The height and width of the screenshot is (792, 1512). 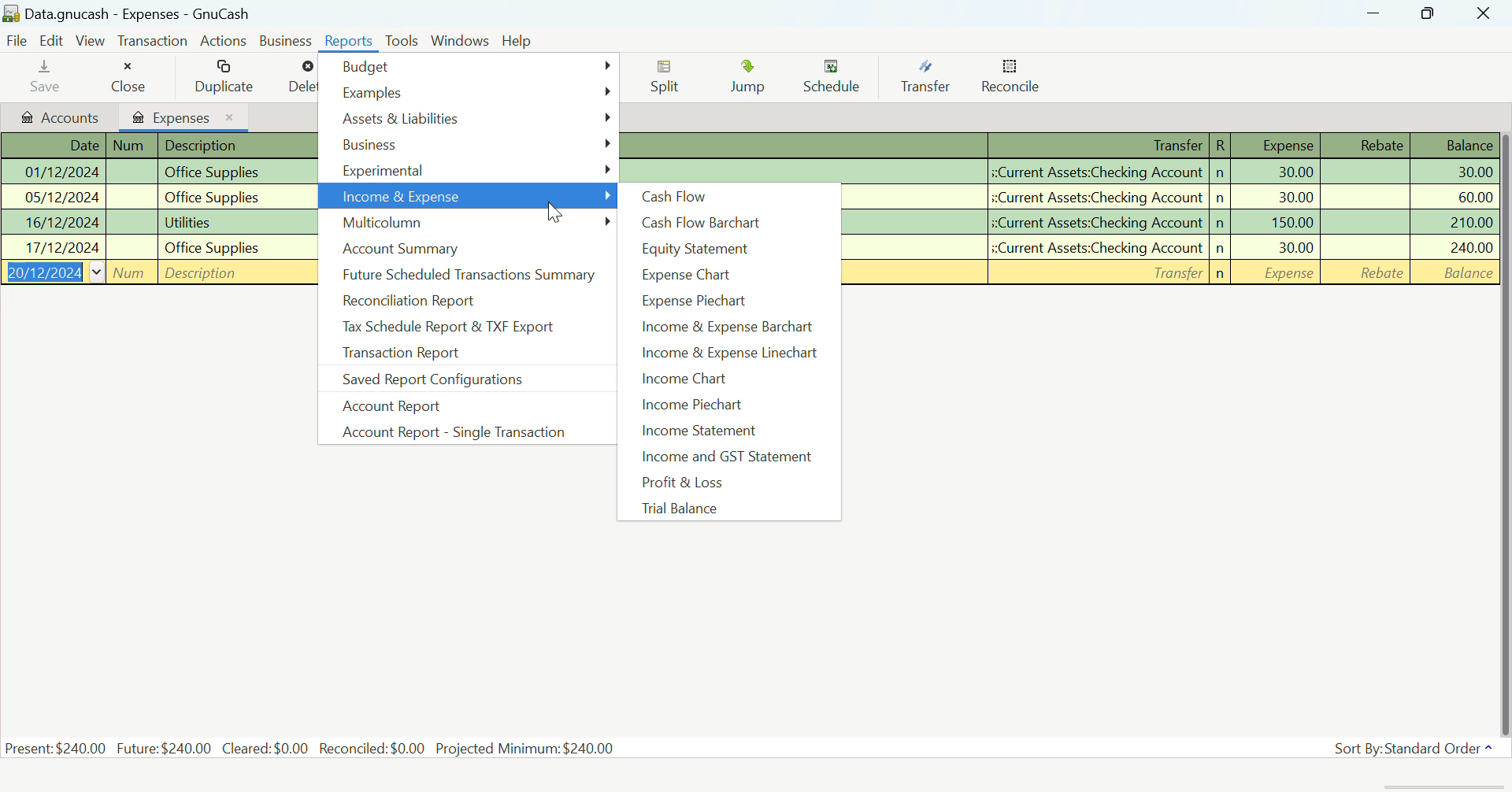 I want to click on Reconciled, so click(x=372, y=748).